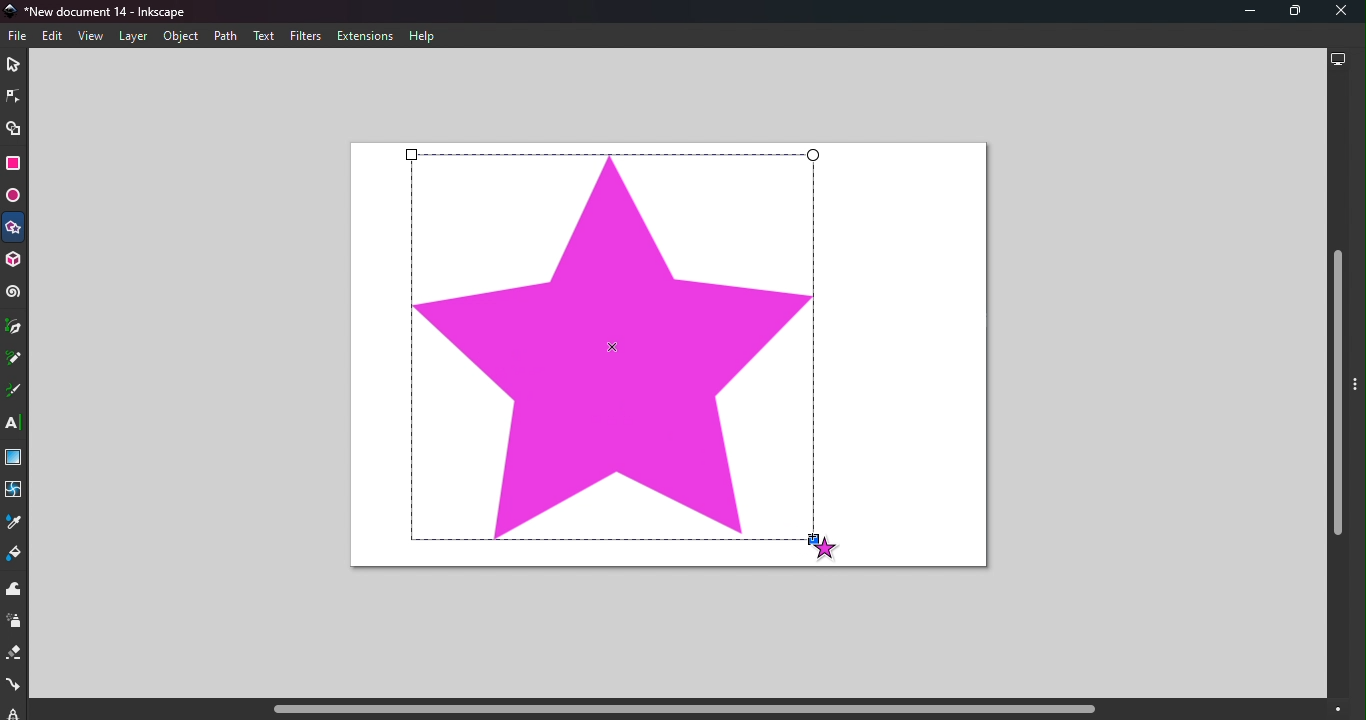 The height and width of the screenshot is (720, 1366). I want to click on Horizontal scroll bar, so click(676, 710).